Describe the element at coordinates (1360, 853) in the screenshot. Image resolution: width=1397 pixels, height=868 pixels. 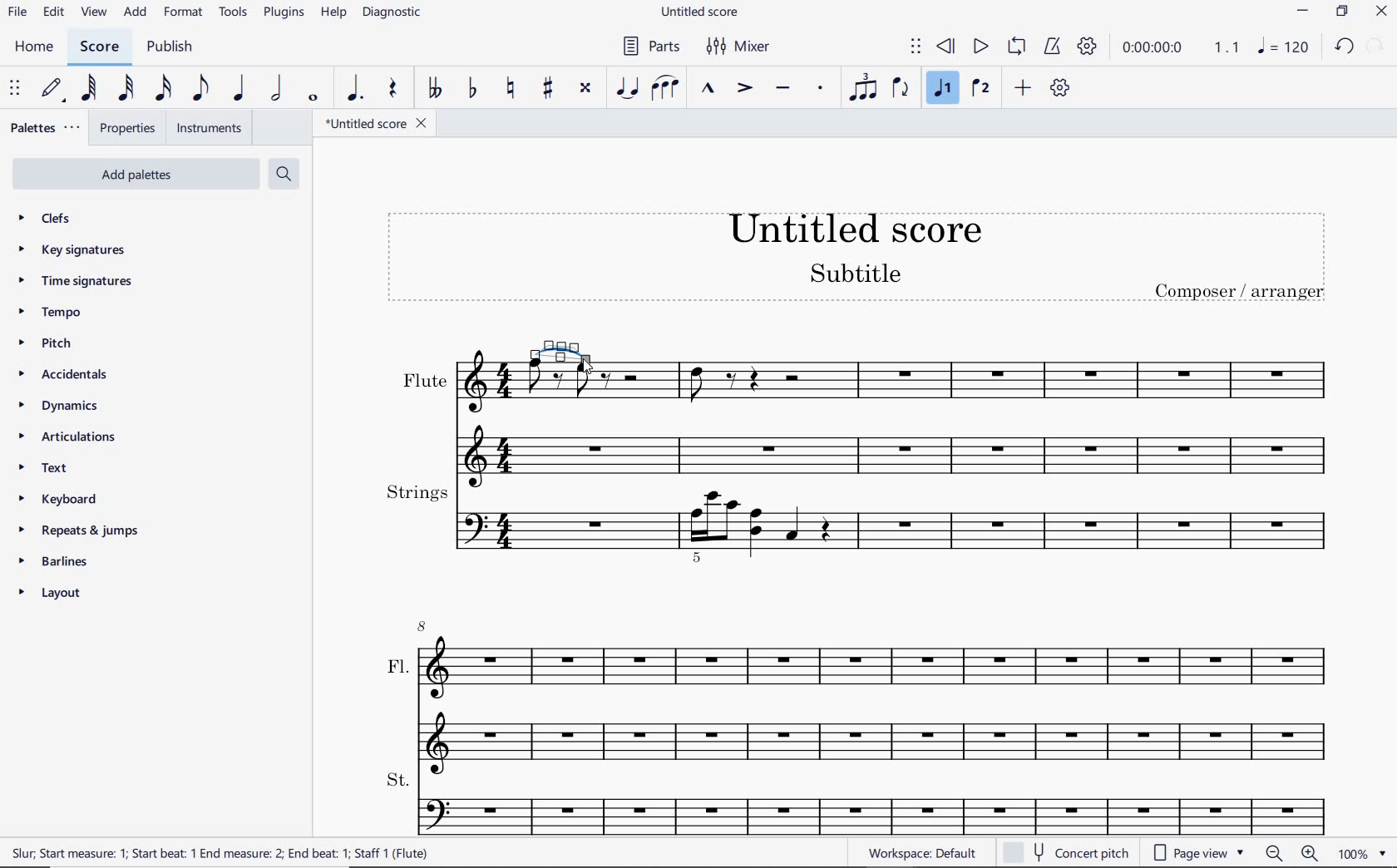
I see `zoom factor` at that location.